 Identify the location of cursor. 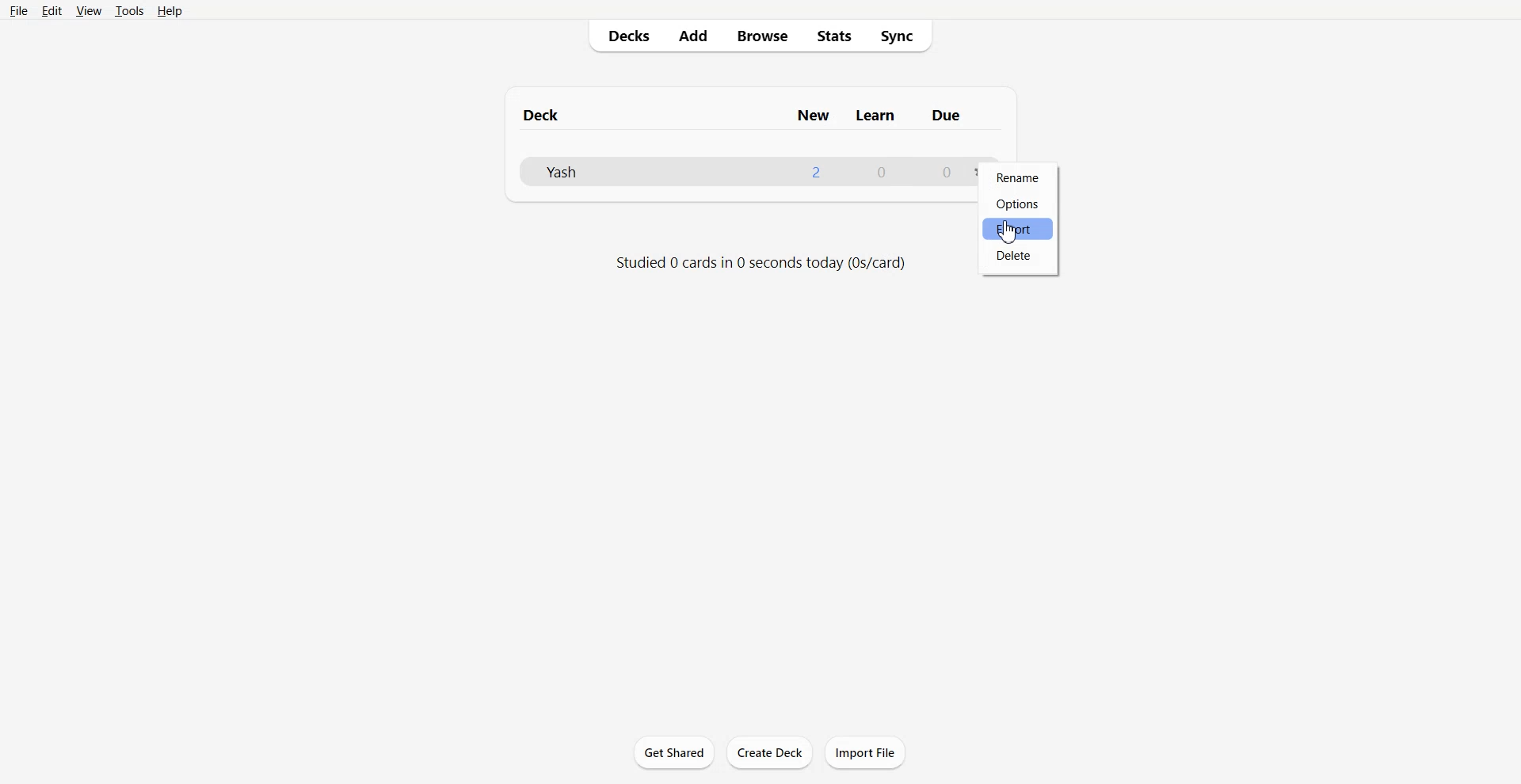
(1007, 232).